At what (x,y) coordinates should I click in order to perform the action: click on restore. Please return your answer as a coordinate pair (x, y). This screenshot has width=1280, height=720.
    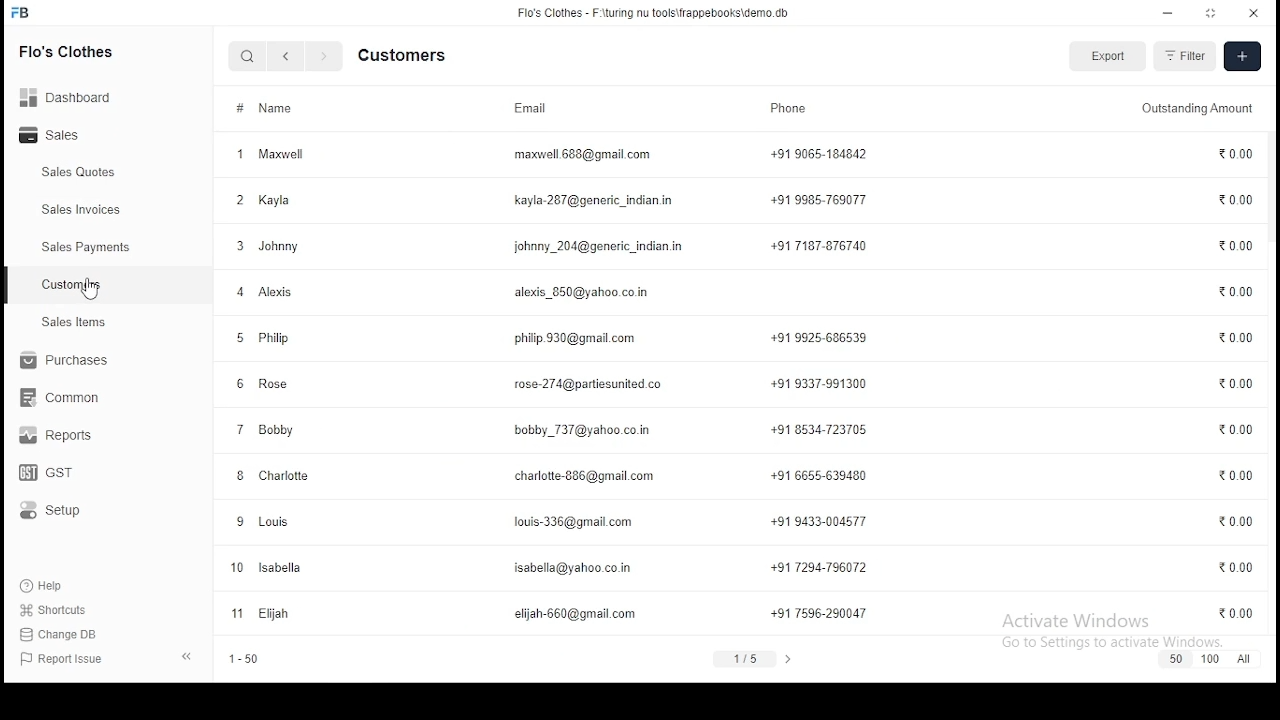
    Looking at the image, I should click on (1210, 13).